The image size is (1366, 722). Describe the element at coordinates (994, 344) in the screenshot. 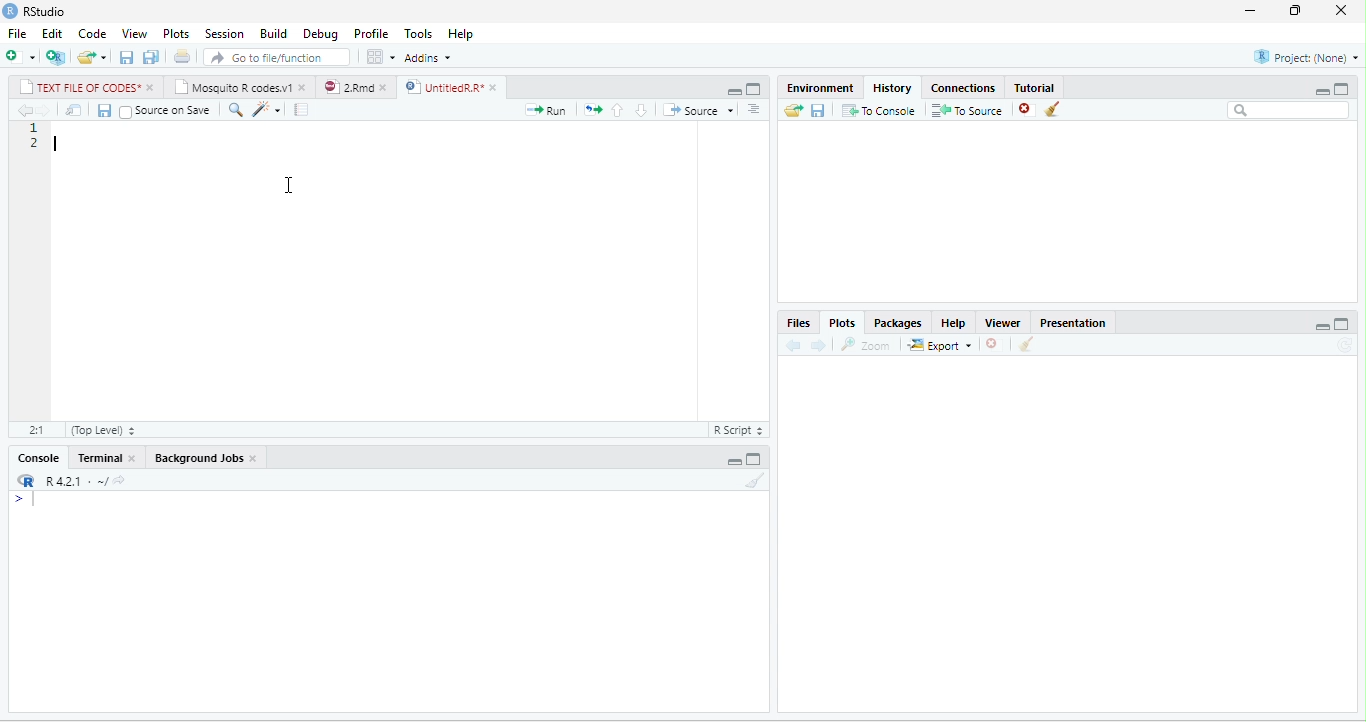

I see `close file` at that location.